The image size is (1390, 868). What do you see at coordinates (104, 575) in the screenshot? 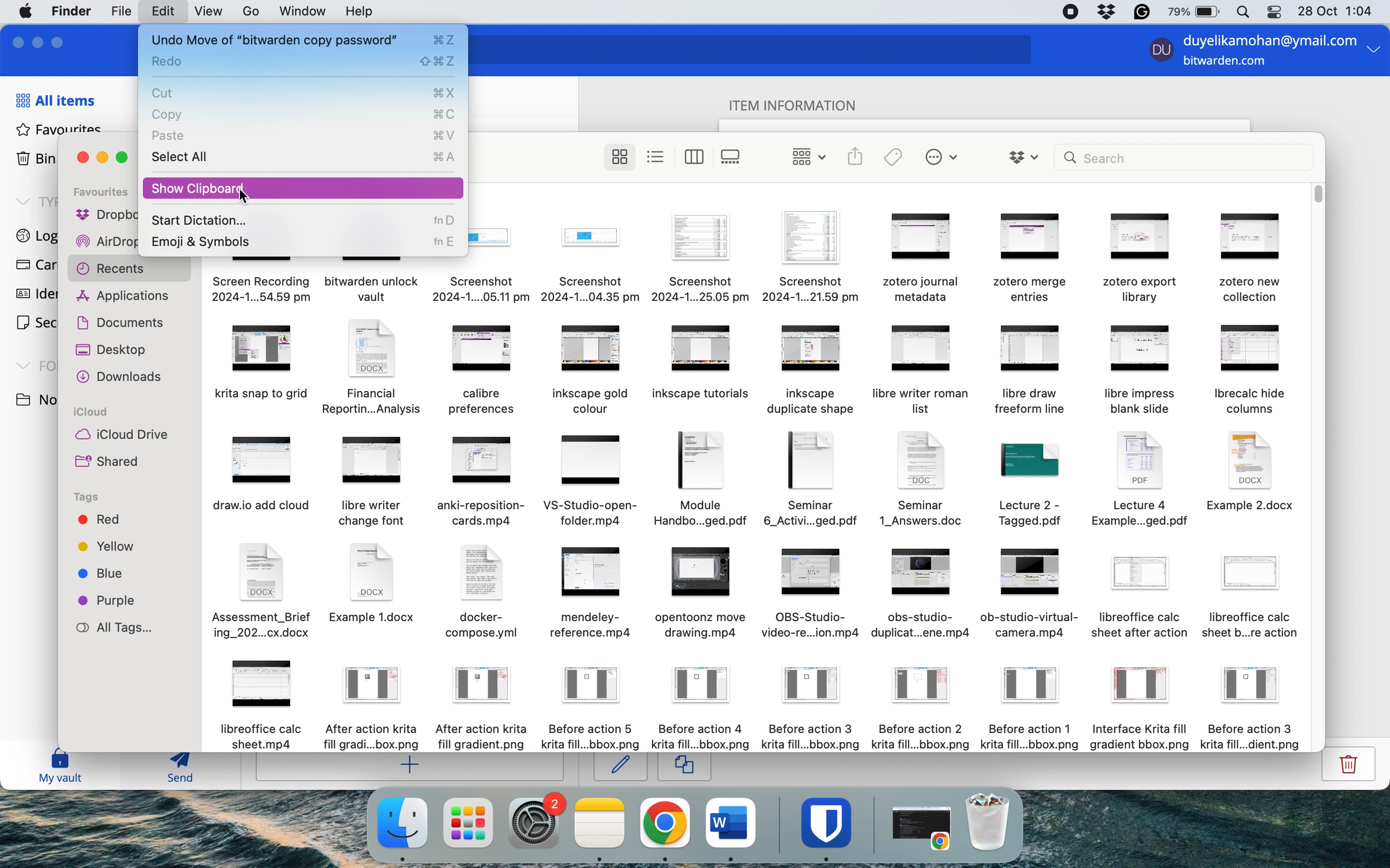
I see `blue tag` at bounding box center [104, 575].